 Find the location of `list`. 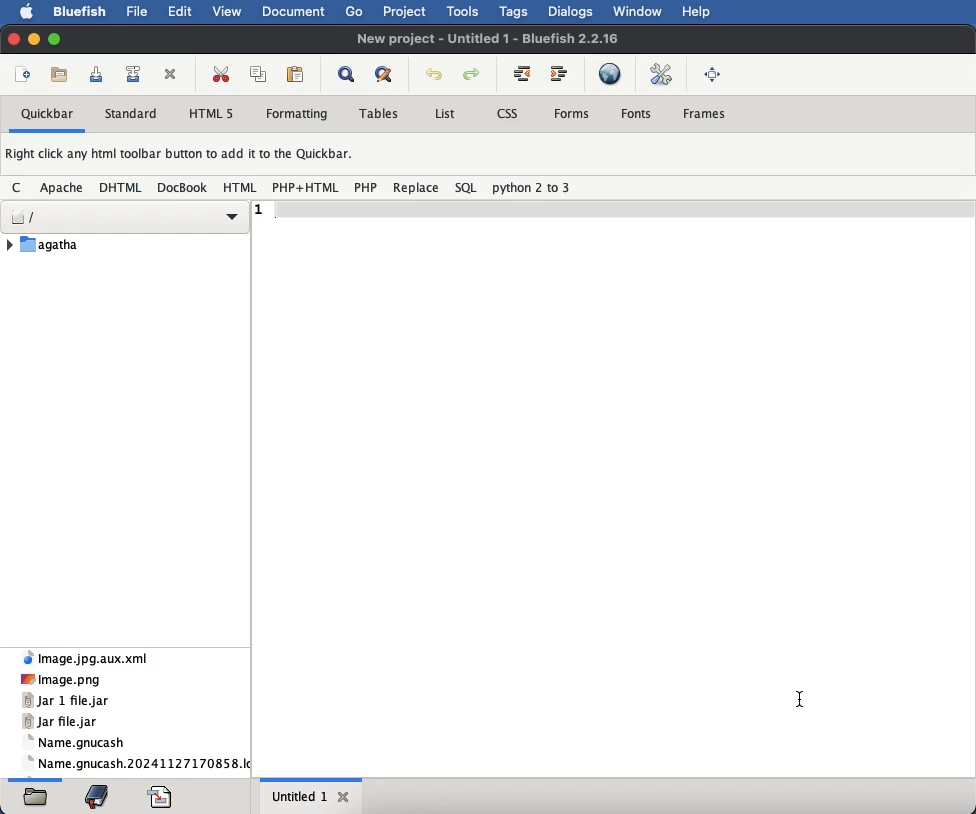

list is located at coordinates (443, 114).